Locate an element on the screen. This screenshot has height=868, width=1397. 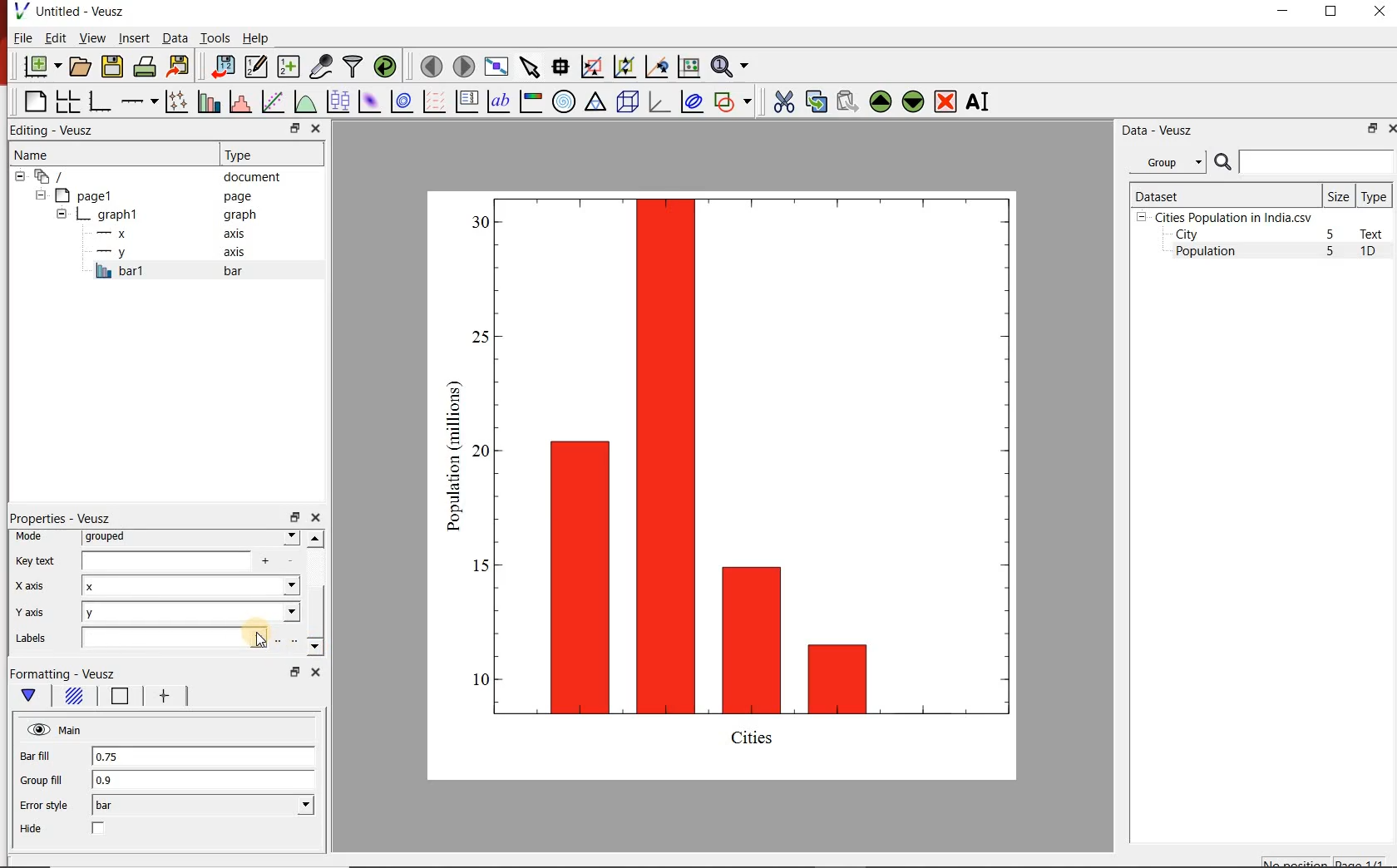
Hide is located at coordinates (33, 829).